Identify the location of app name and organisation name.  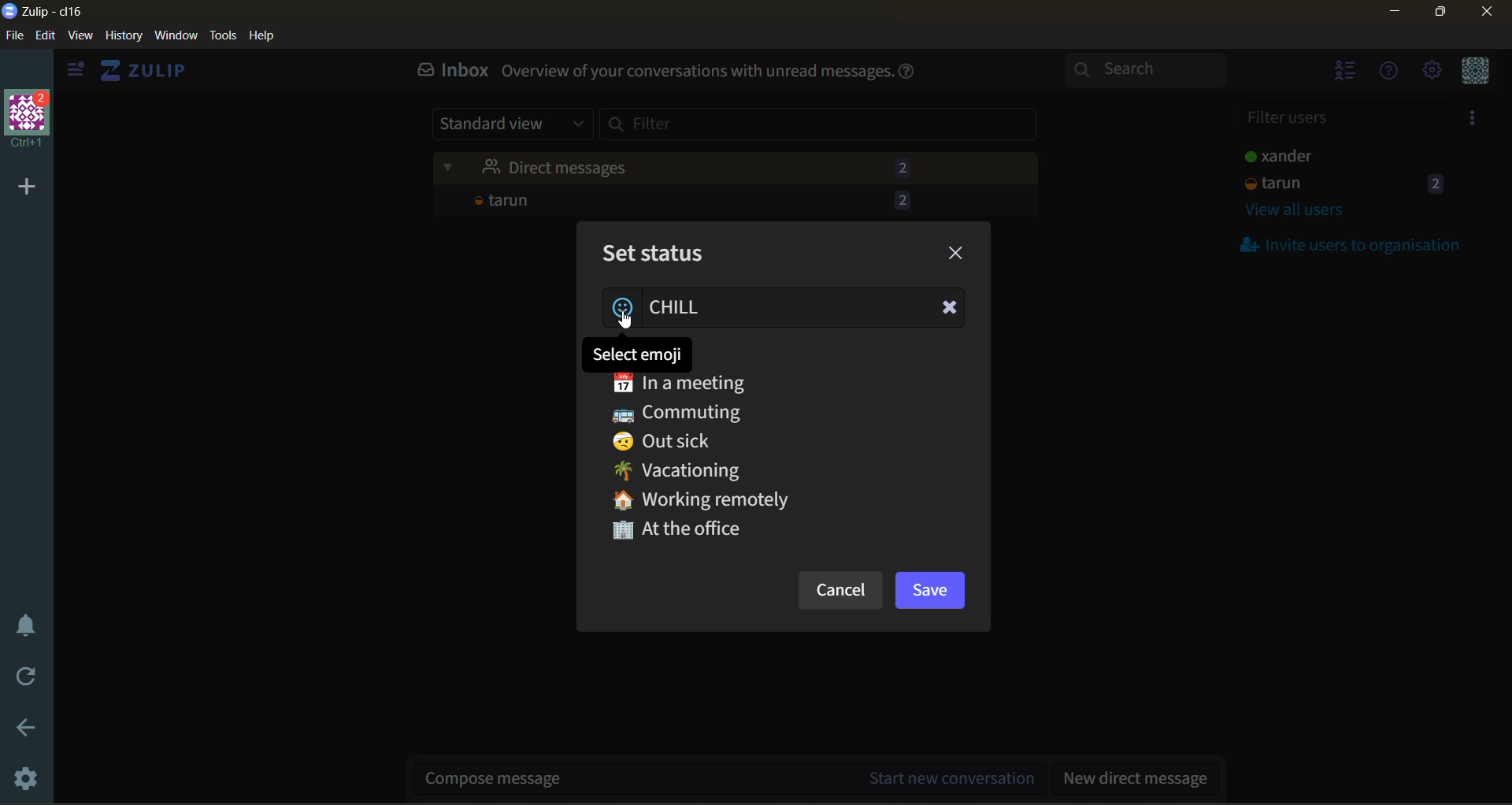
(46, 12).